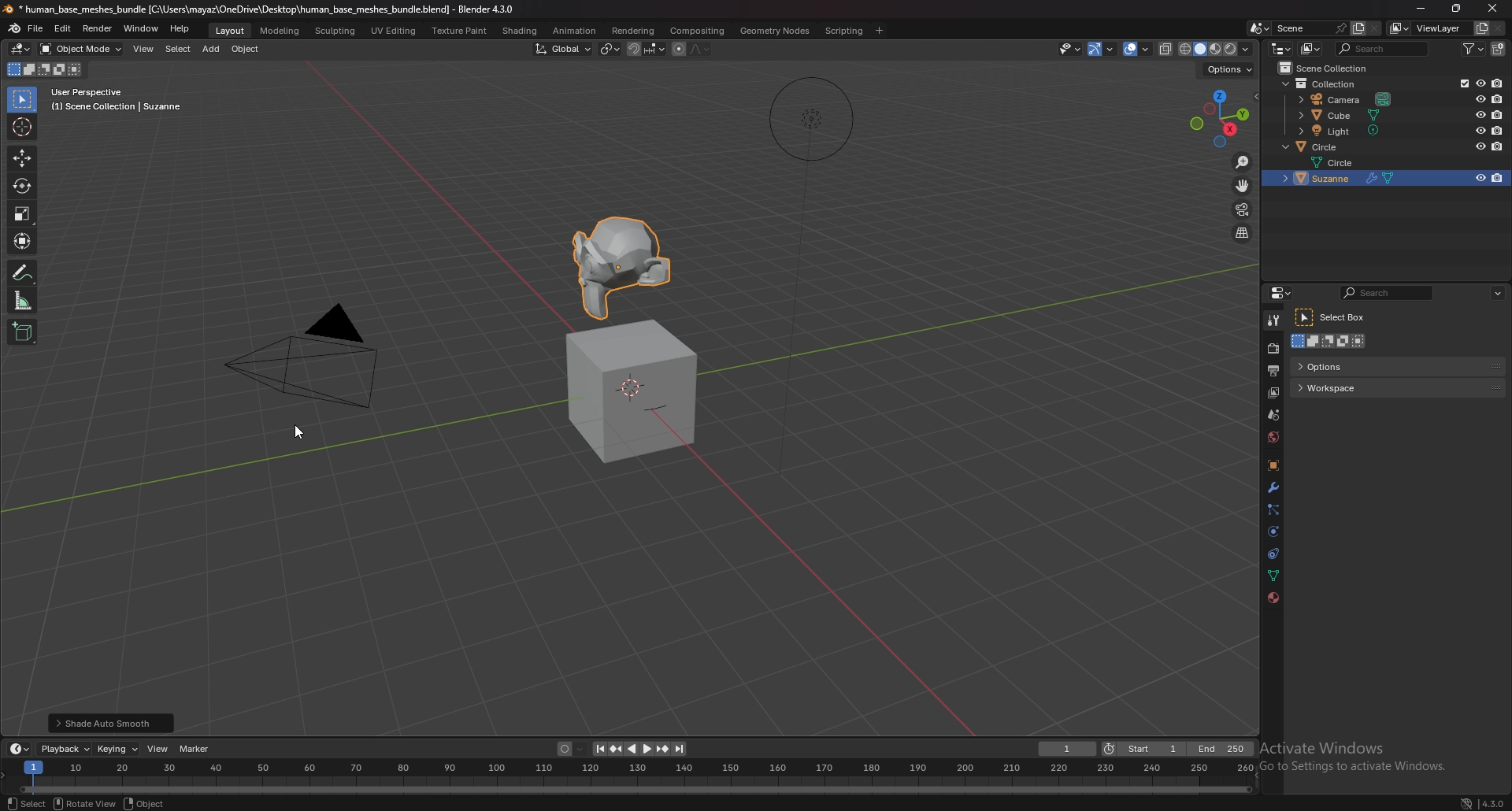 This screenshot has width=1512, height=811. What do you see at coordinates (880, 29) in the screenshot?
I see `add workspace` at bounding box center [880, 29].